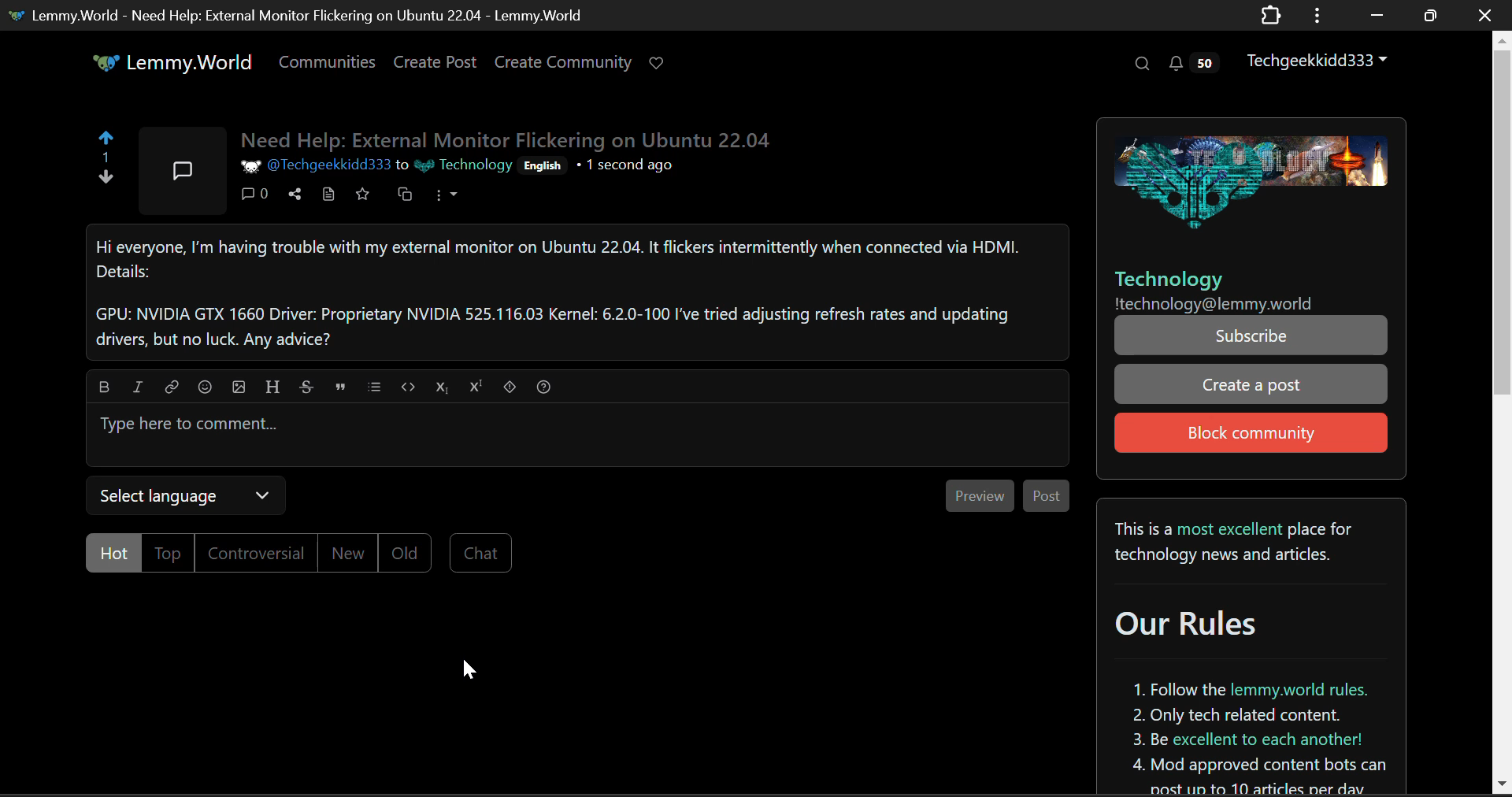 The width and height of the screenshot is (1512, 797). I want to click on Link, so click(172, 386).